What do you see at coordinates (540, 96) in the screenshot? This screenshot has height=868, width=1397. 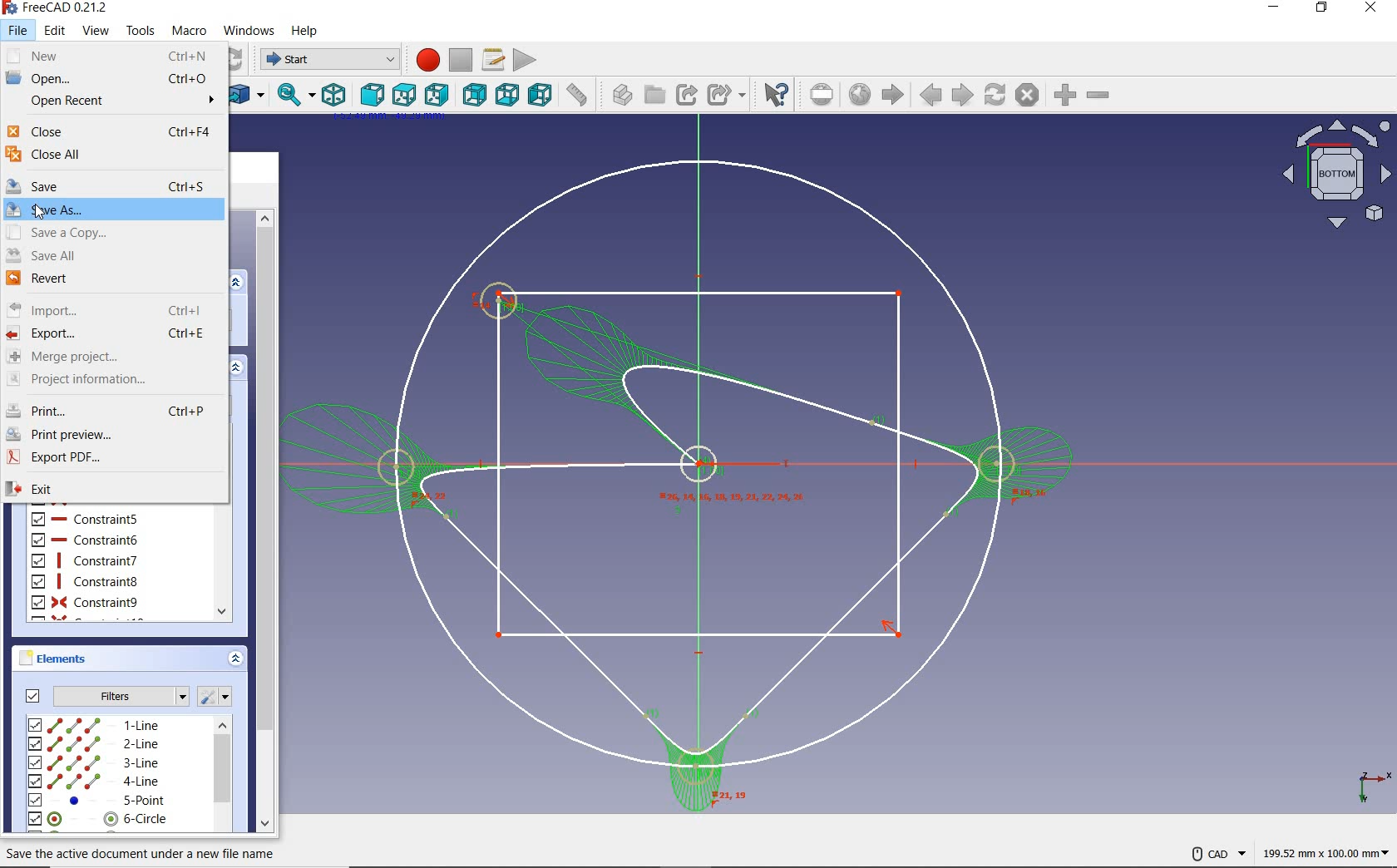 I see `left` at bounding box center [540, 96].